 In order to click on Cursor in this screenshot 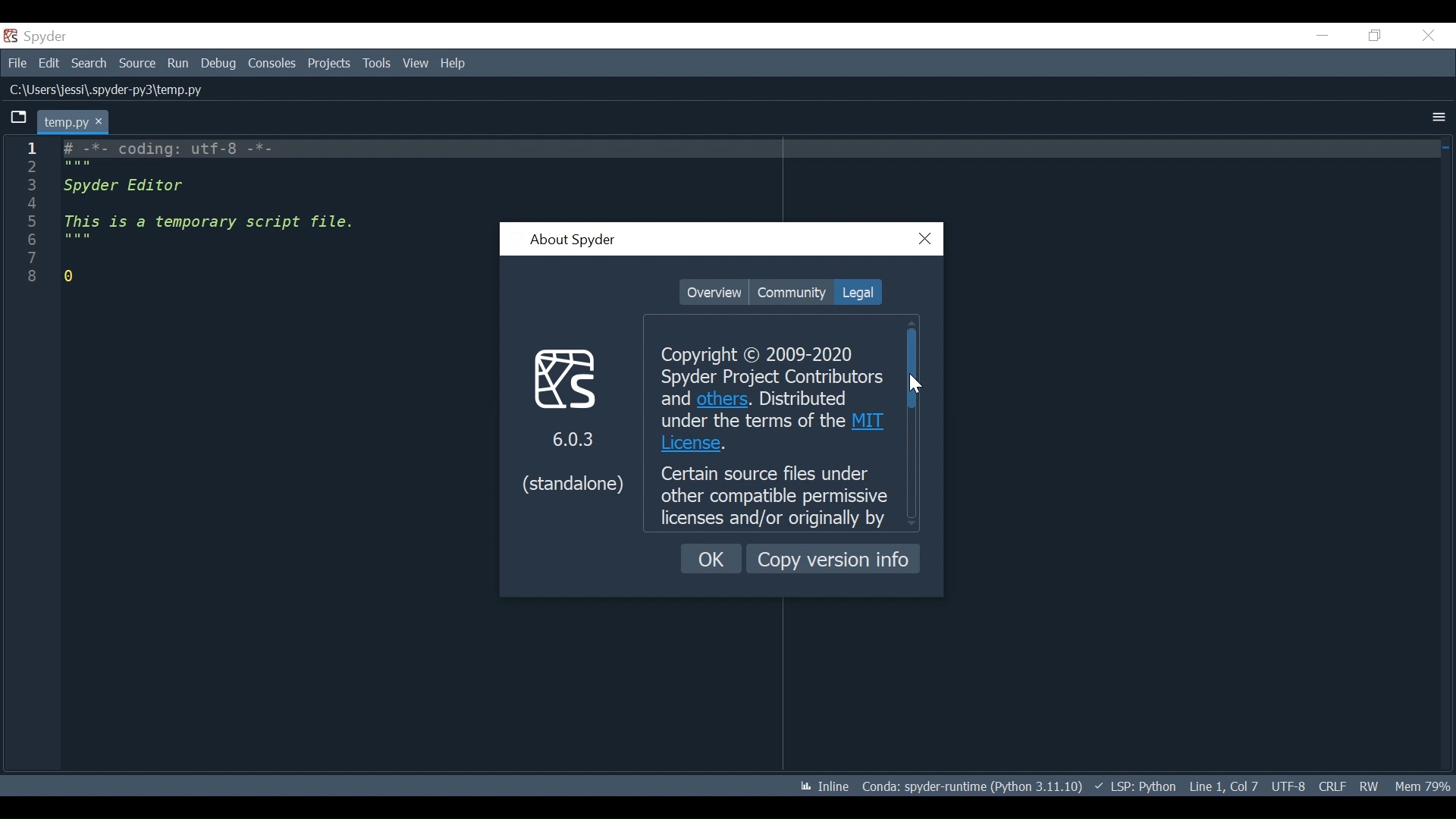, I will do `click(913, 383)`.